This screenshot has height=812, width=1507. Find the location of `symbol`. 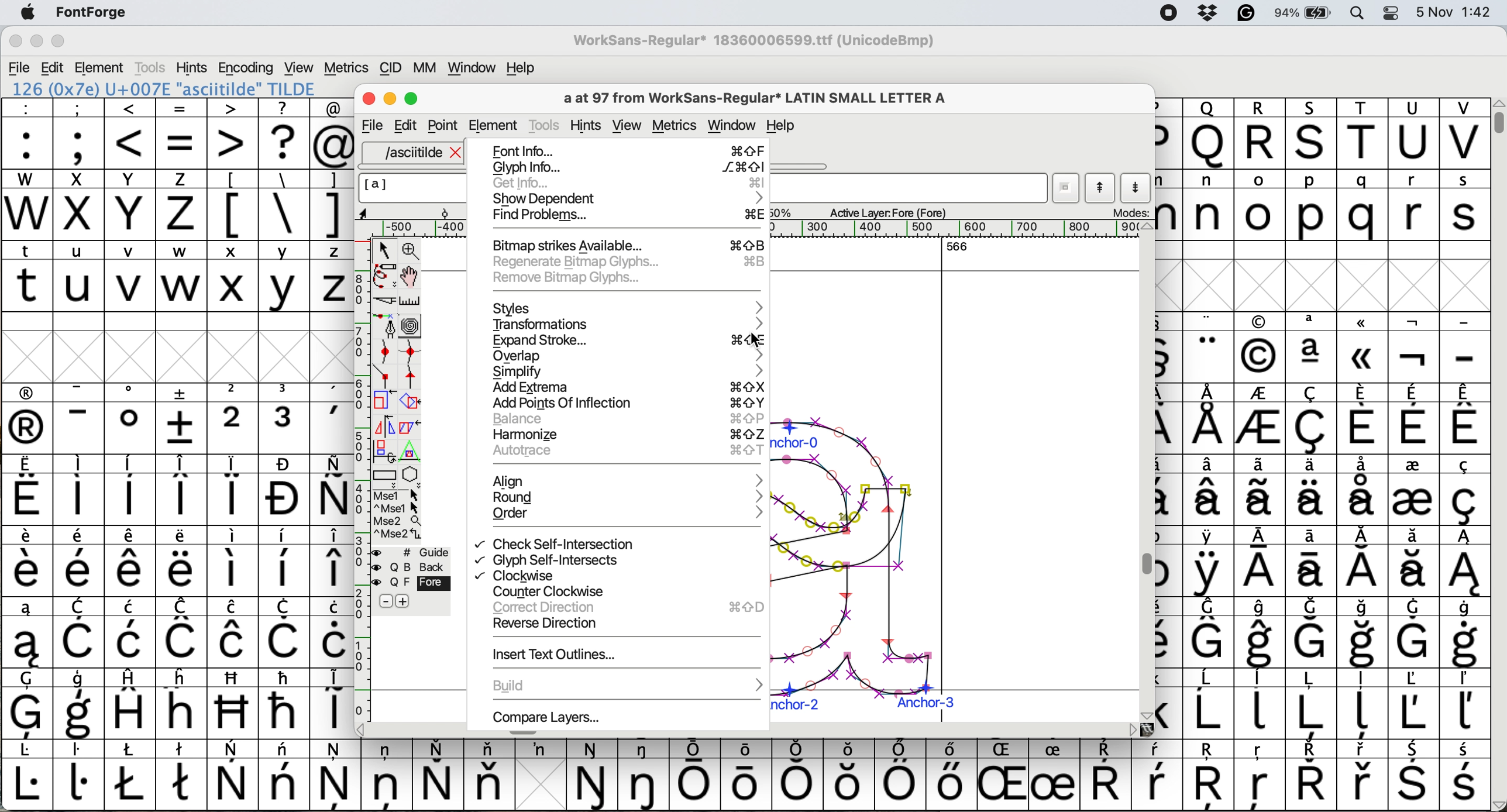

symbol is located at coordinates (438, 775).